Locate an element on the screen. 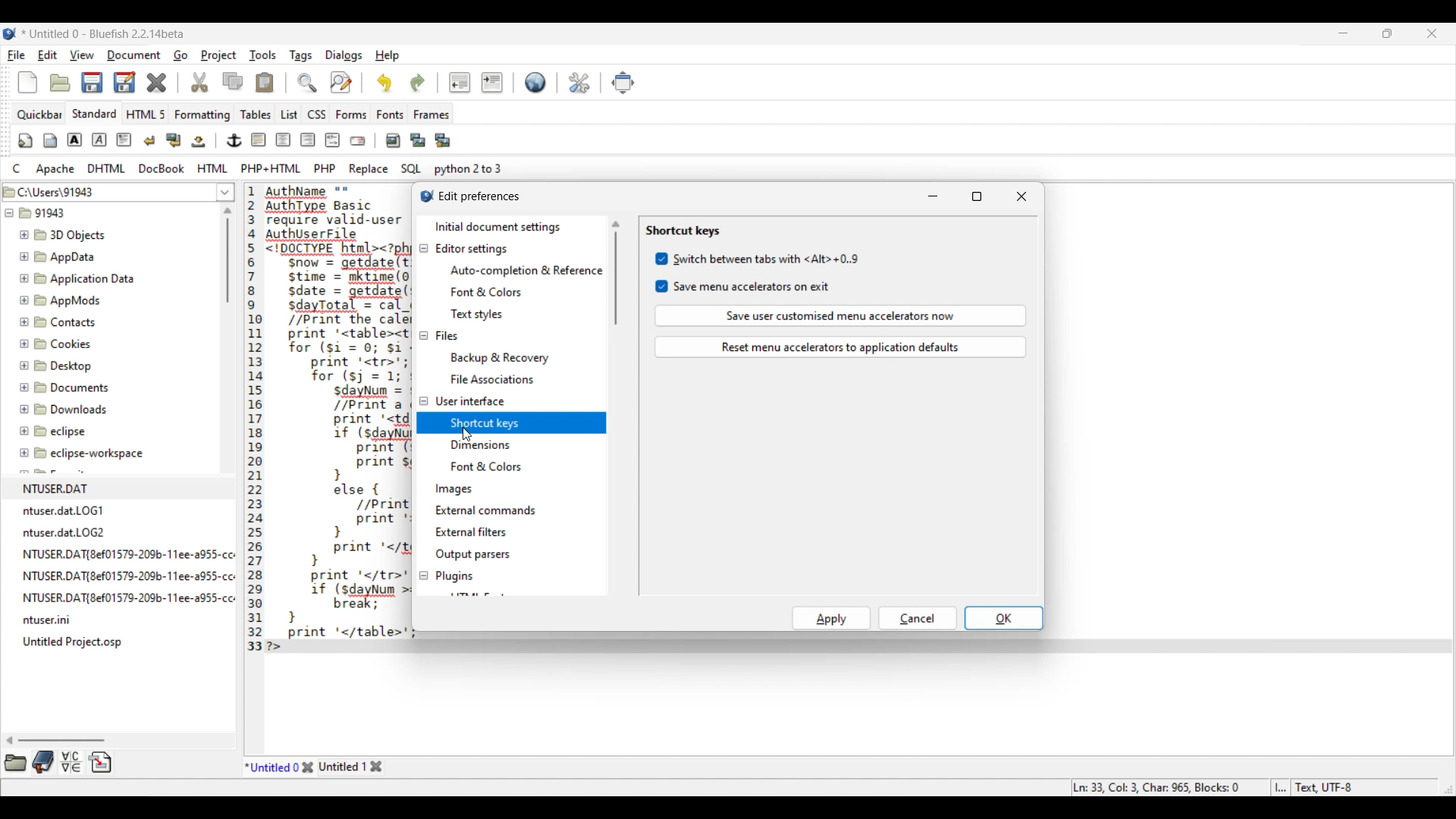  Cookies is located at coordinates (71, 346).